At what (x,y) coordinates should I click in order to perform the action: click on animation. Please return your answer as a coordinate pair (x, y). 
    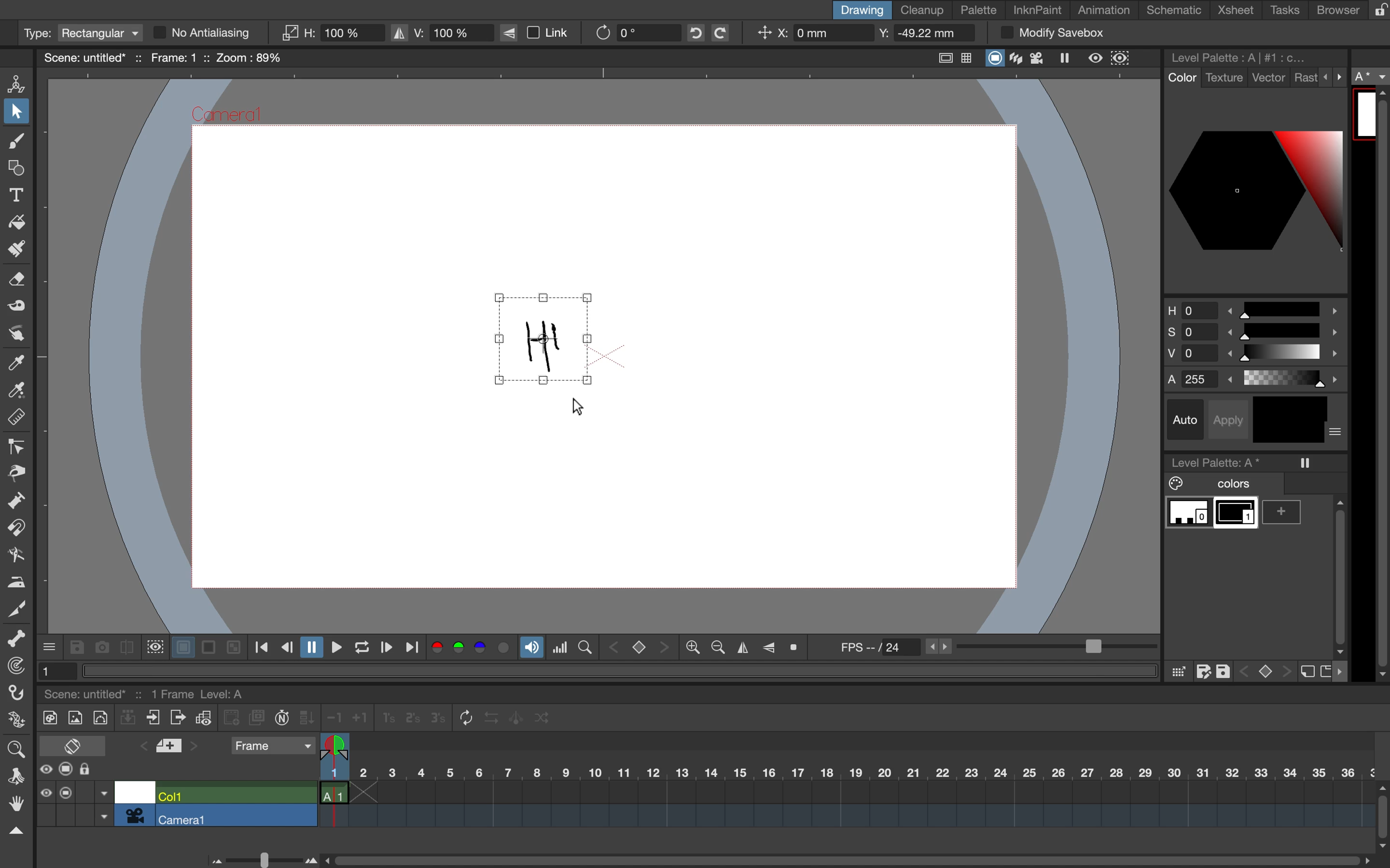
    Looking at the image, I should click on (1109, 11).